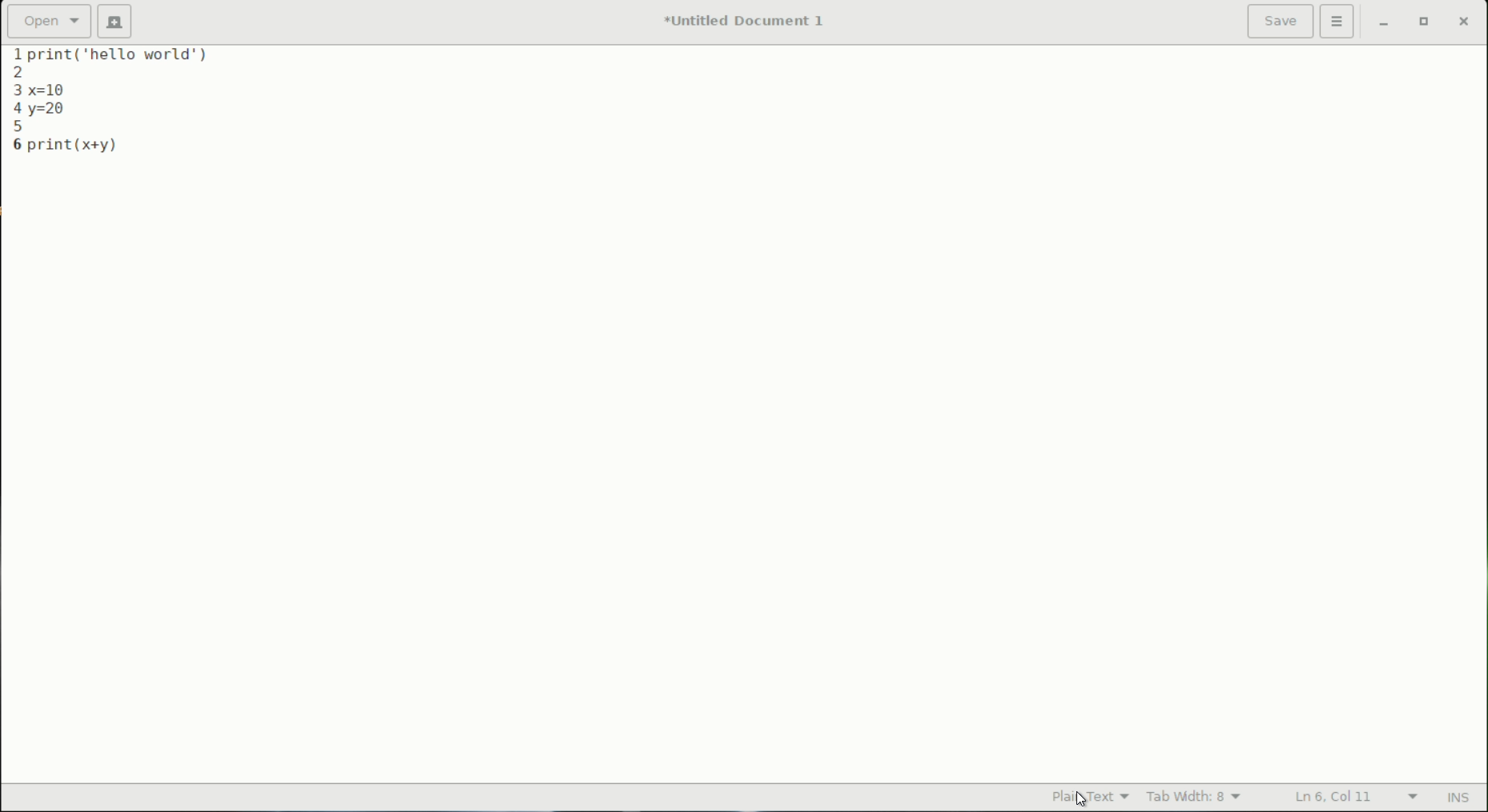 This screenshot has width=1488, height=812. Describe the element at coordinates (1194, 798) in the screenshot. I see `tab width` at that location.